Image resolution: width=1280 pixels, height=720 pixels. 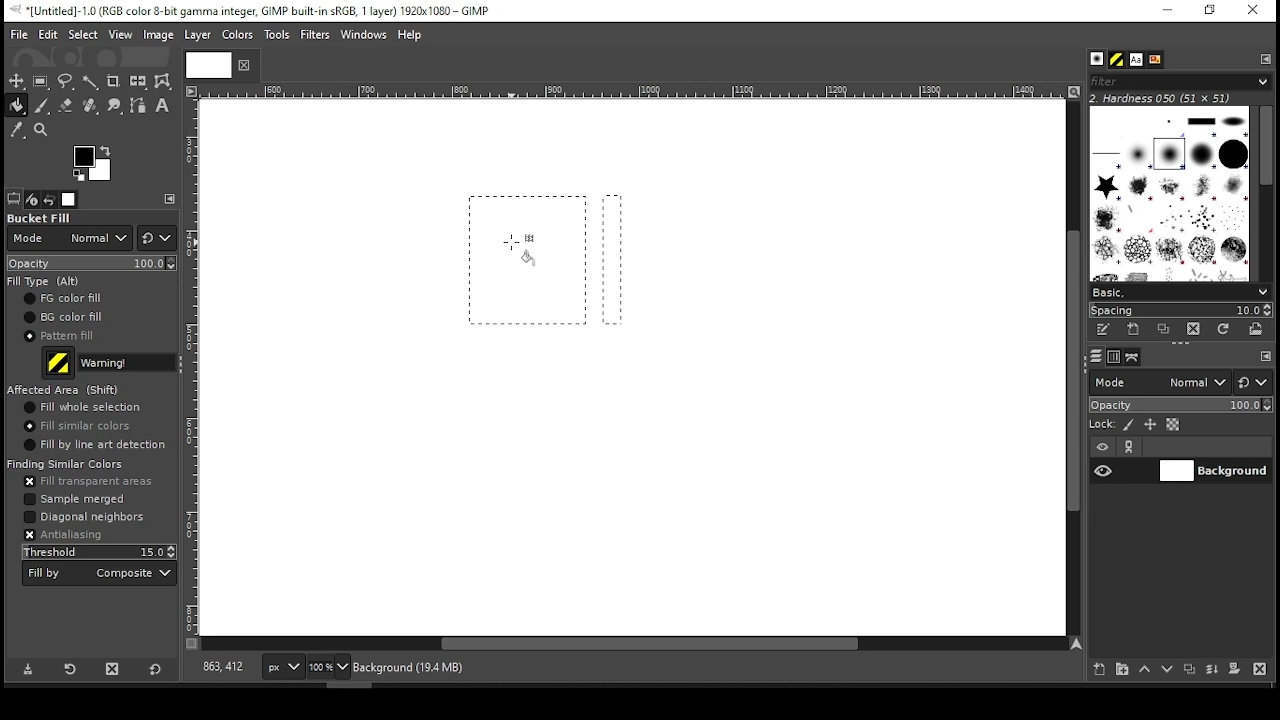 What do you see at coordinates (1166, 98) in the screenshot?
I see `2. hardness 050 (51x51)` at bounding box center [1166, 98].